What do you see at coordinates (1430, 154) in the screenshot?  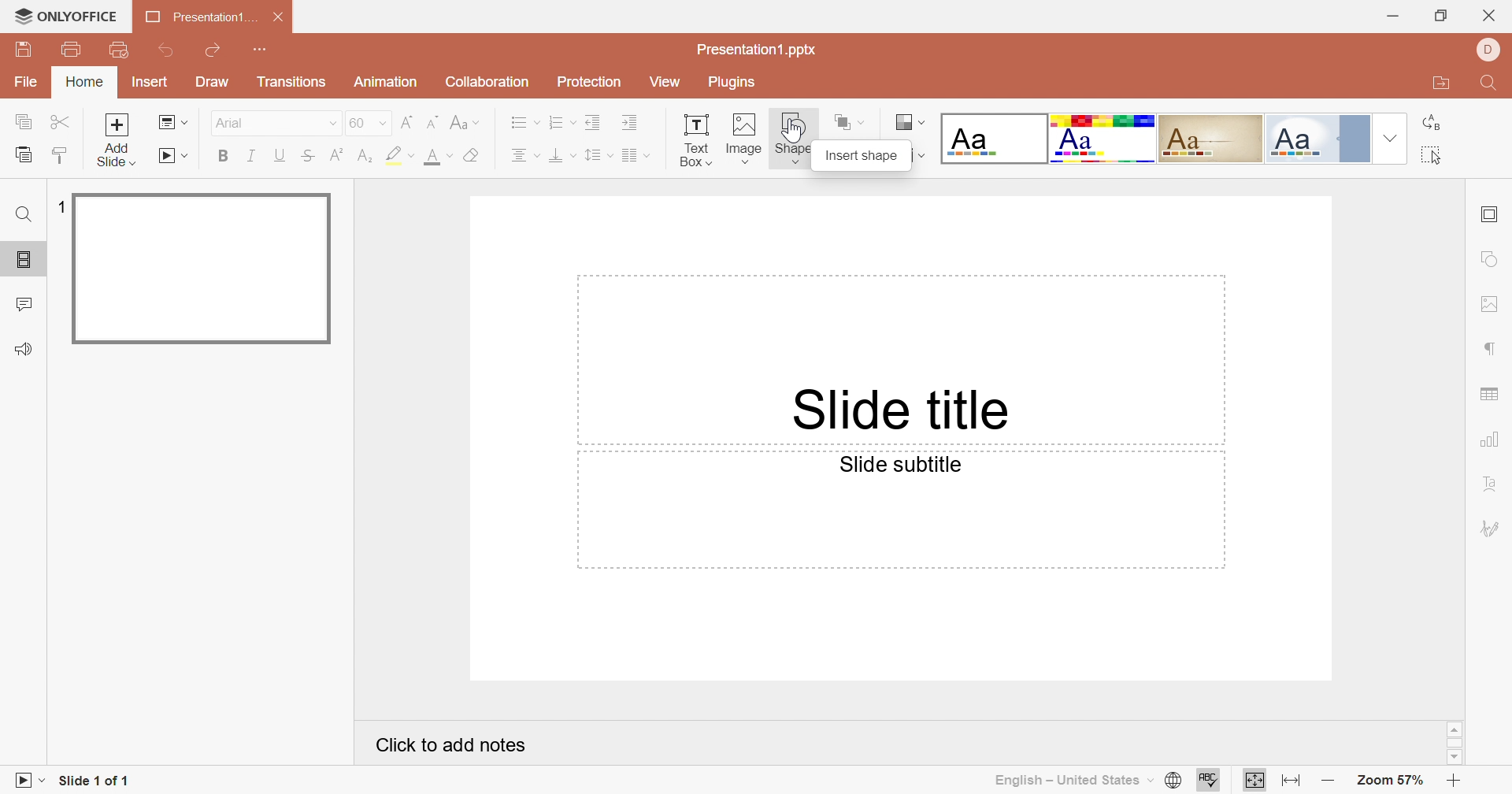 I see `Select all` at bounding box center [1430, 154].